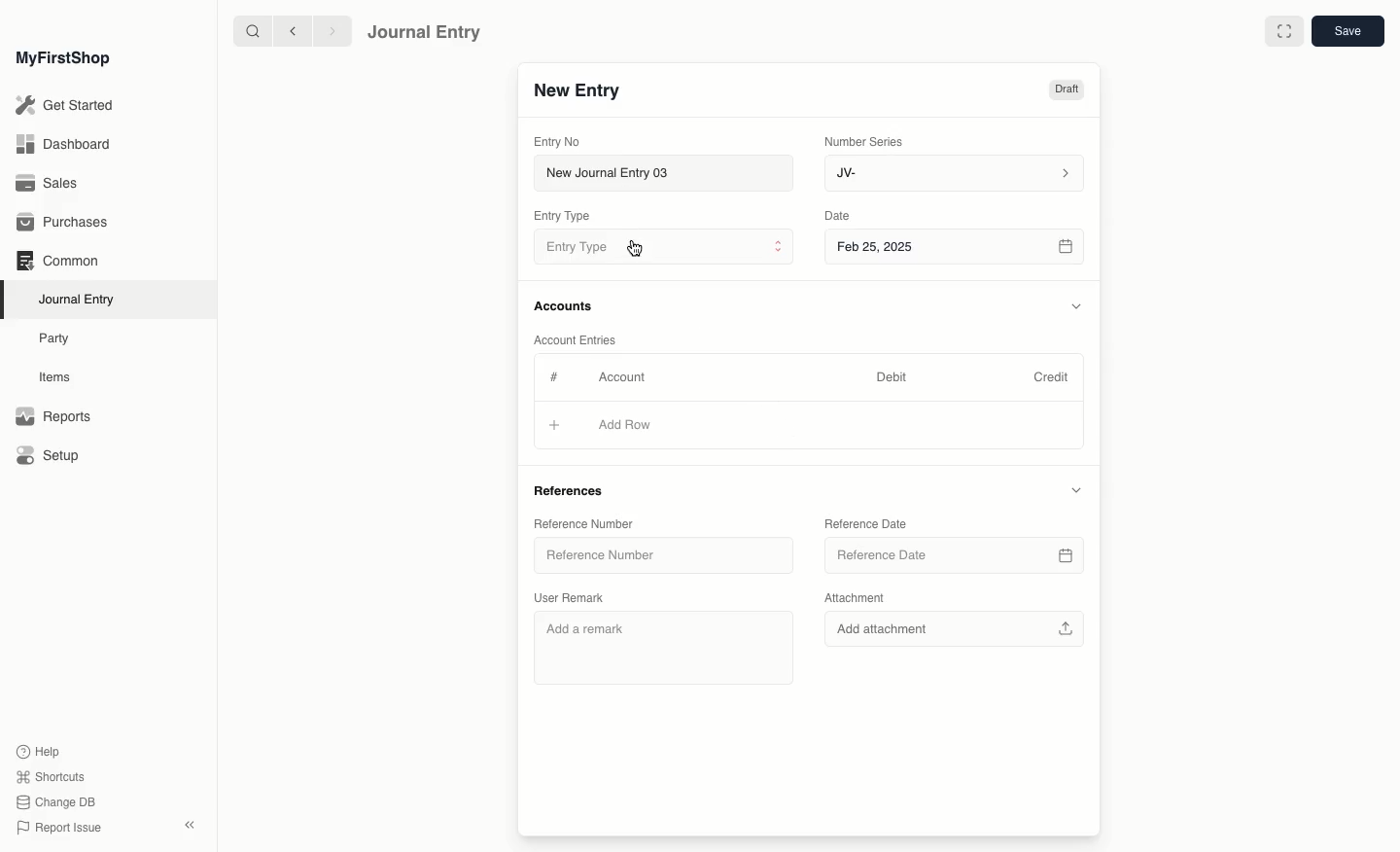 This screenshot has width=1400, height=852. I want to click on JV-, so click(952, 173).